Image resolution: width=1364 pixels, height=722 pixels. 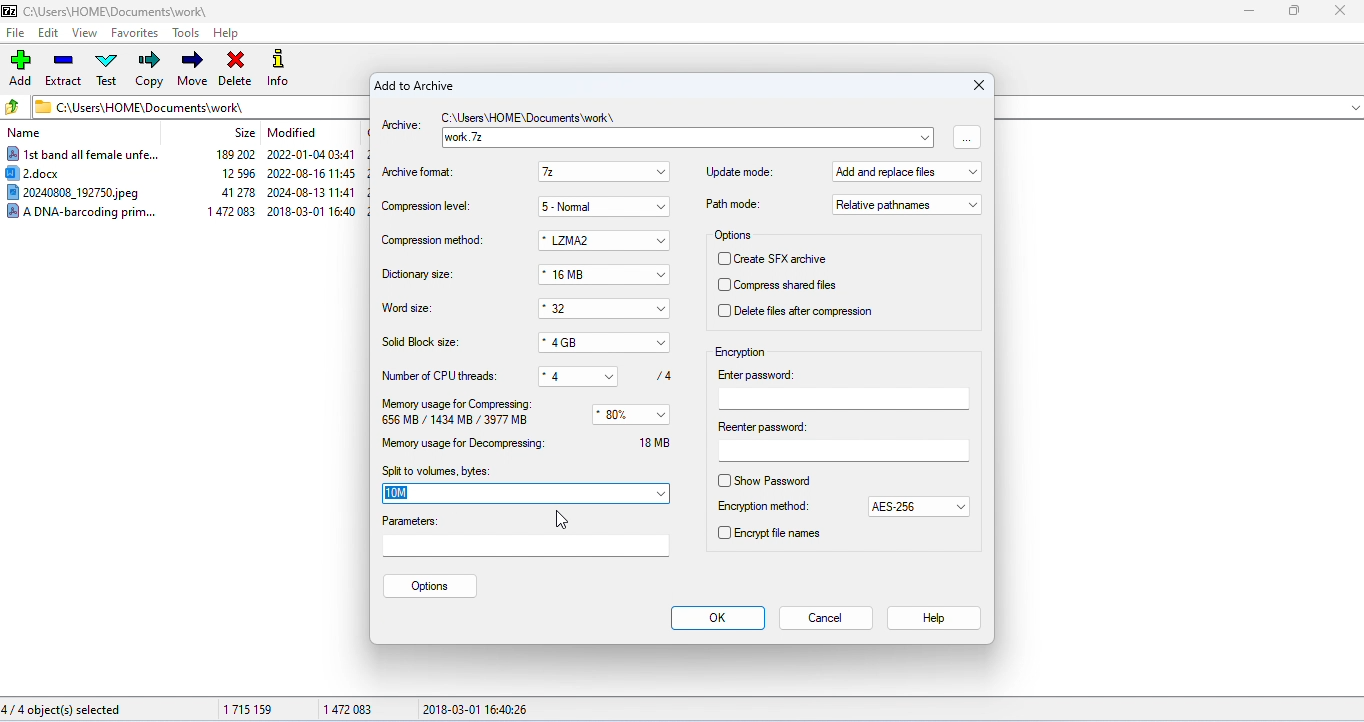 What do you see at coordinates (663, 494) in the screenshot?
I see `drop down` at bounding box center [663, 494].